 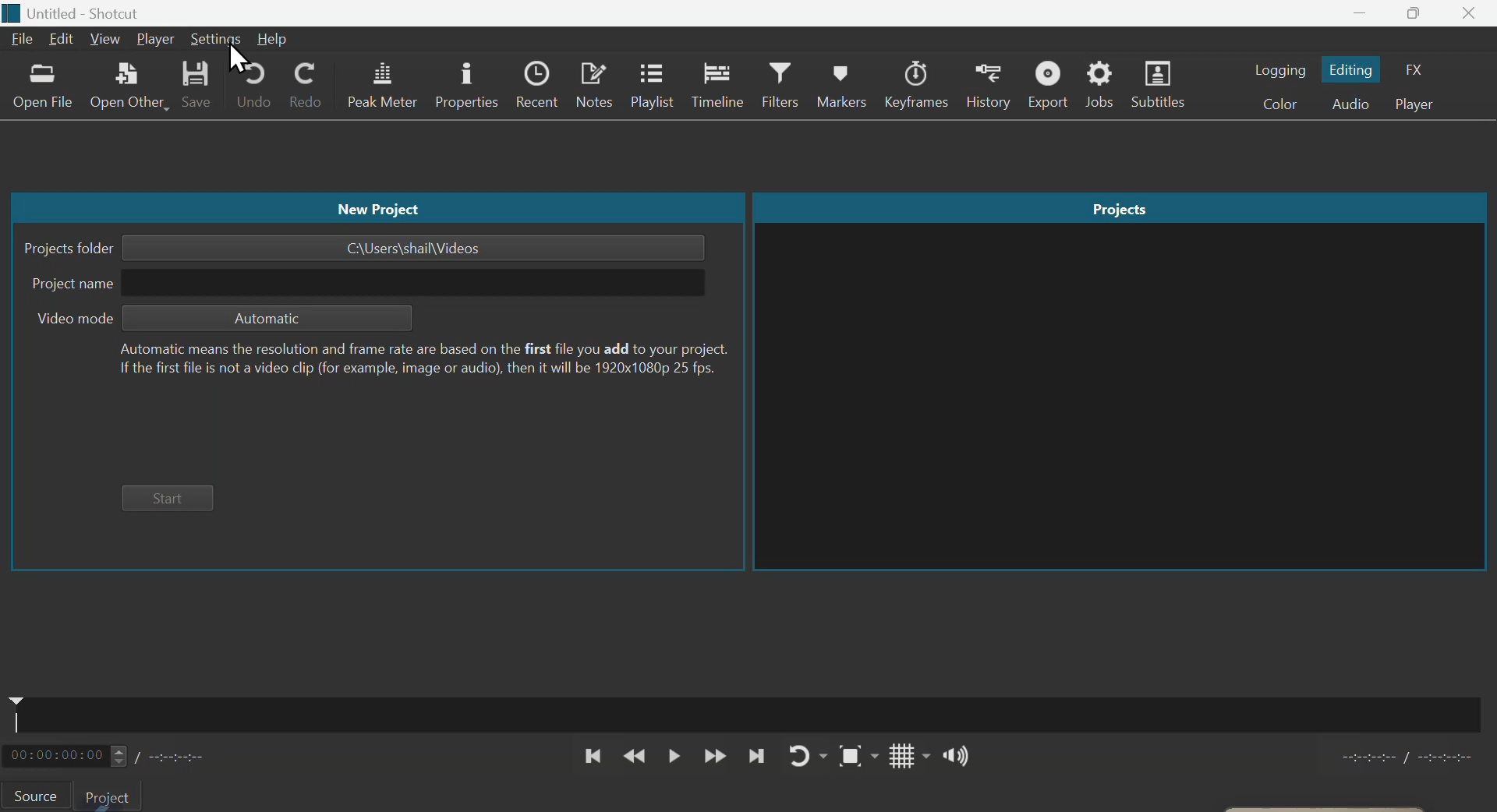 What do you see at coordinates (199, 90) in the screenshot?
I see `save` at bounding box center [199, 90].